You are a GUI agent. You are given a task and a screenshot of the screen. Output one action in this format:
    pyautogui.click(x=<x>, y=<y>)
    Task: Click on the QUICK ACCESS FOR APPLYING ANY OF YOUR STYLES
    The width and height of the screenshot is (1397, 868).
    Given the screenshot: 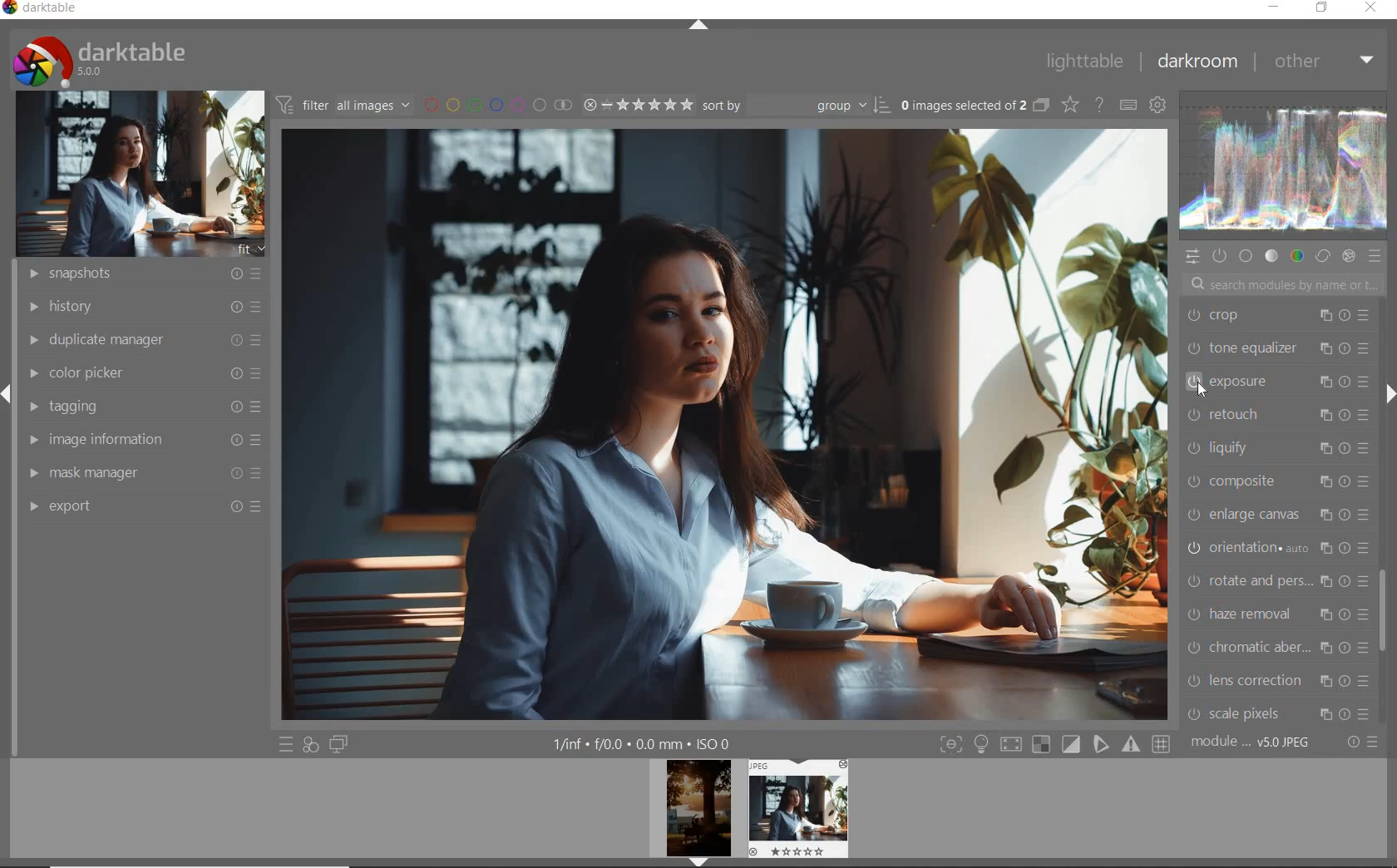 What is the action you would take?
    pyautogui.click(x=311, y=745)
    